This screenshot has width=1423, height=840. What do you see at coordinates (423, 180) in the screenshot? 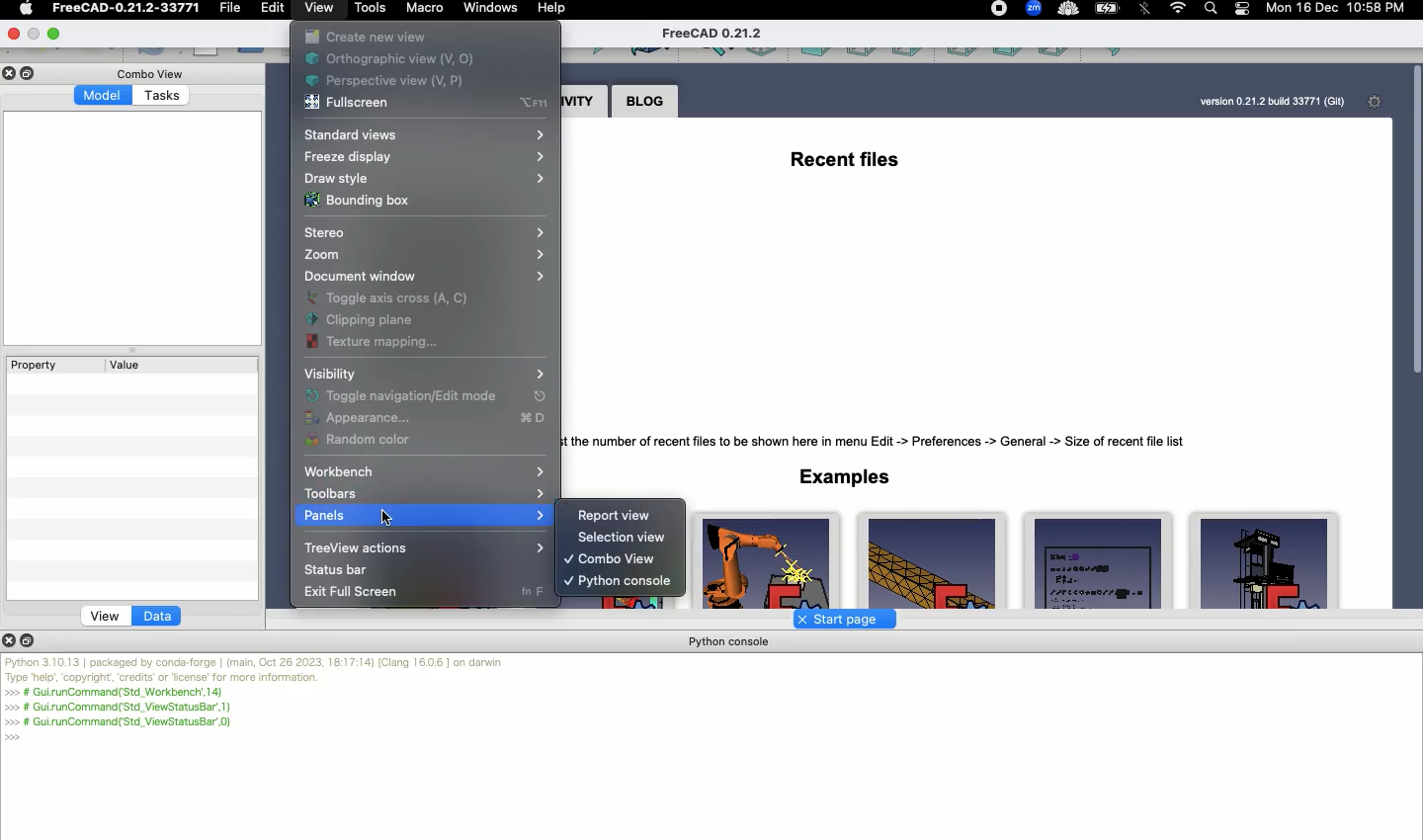
I see `Draw style` at bounding box center [423, 180].